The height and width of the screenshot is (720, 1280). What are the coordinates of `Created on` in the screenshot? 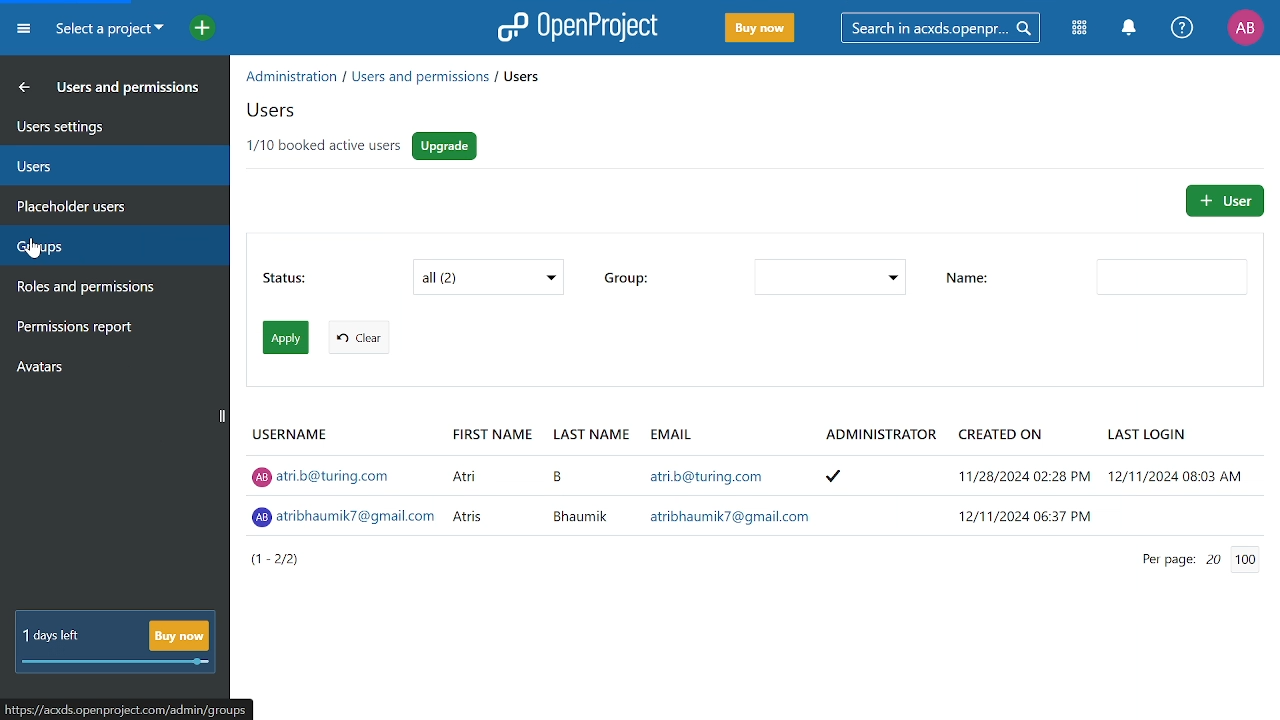 It's located at (1002, 435).